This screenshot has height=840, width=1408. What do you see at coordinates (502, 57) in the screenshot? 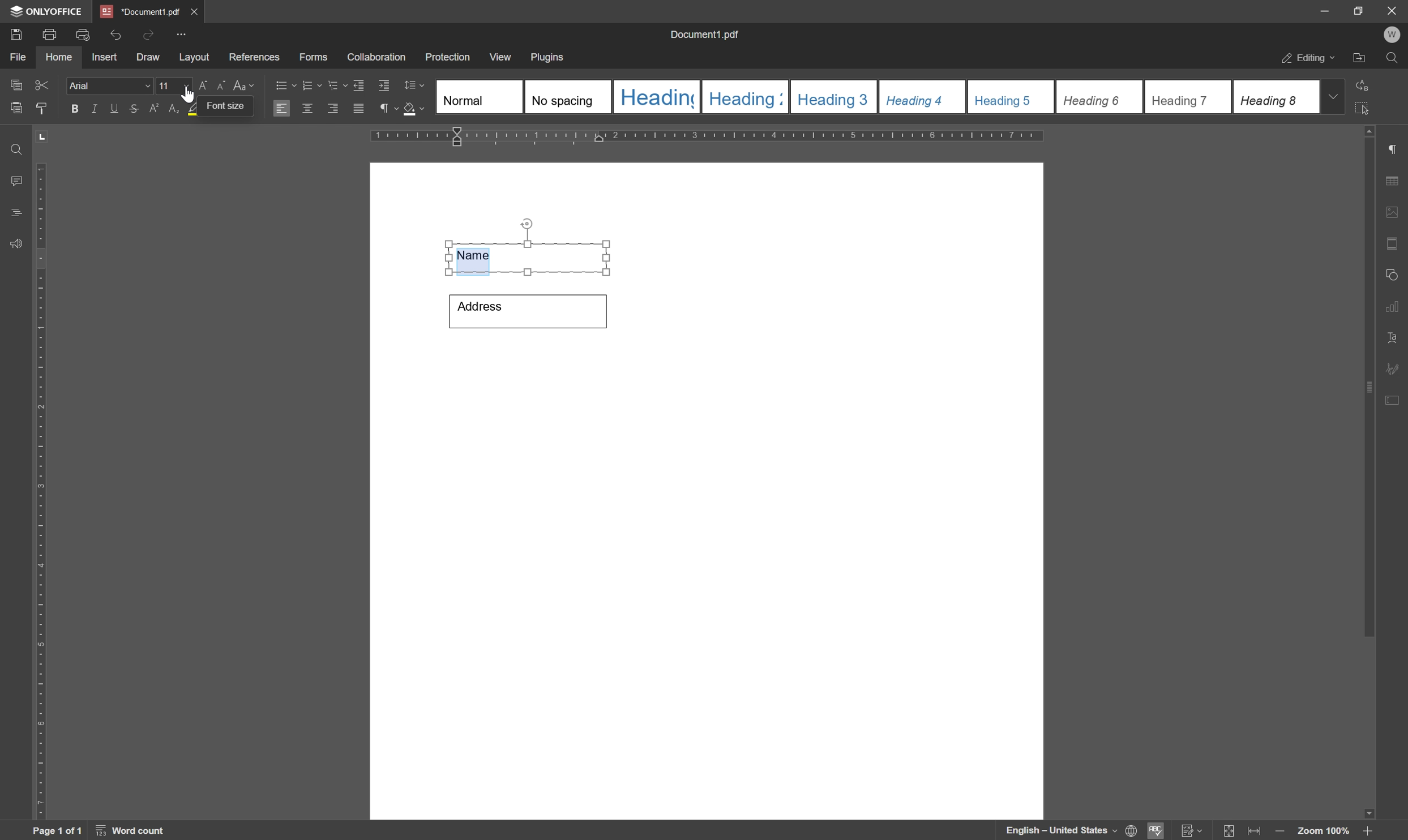
I see `view` at bounding box center [502, 57].